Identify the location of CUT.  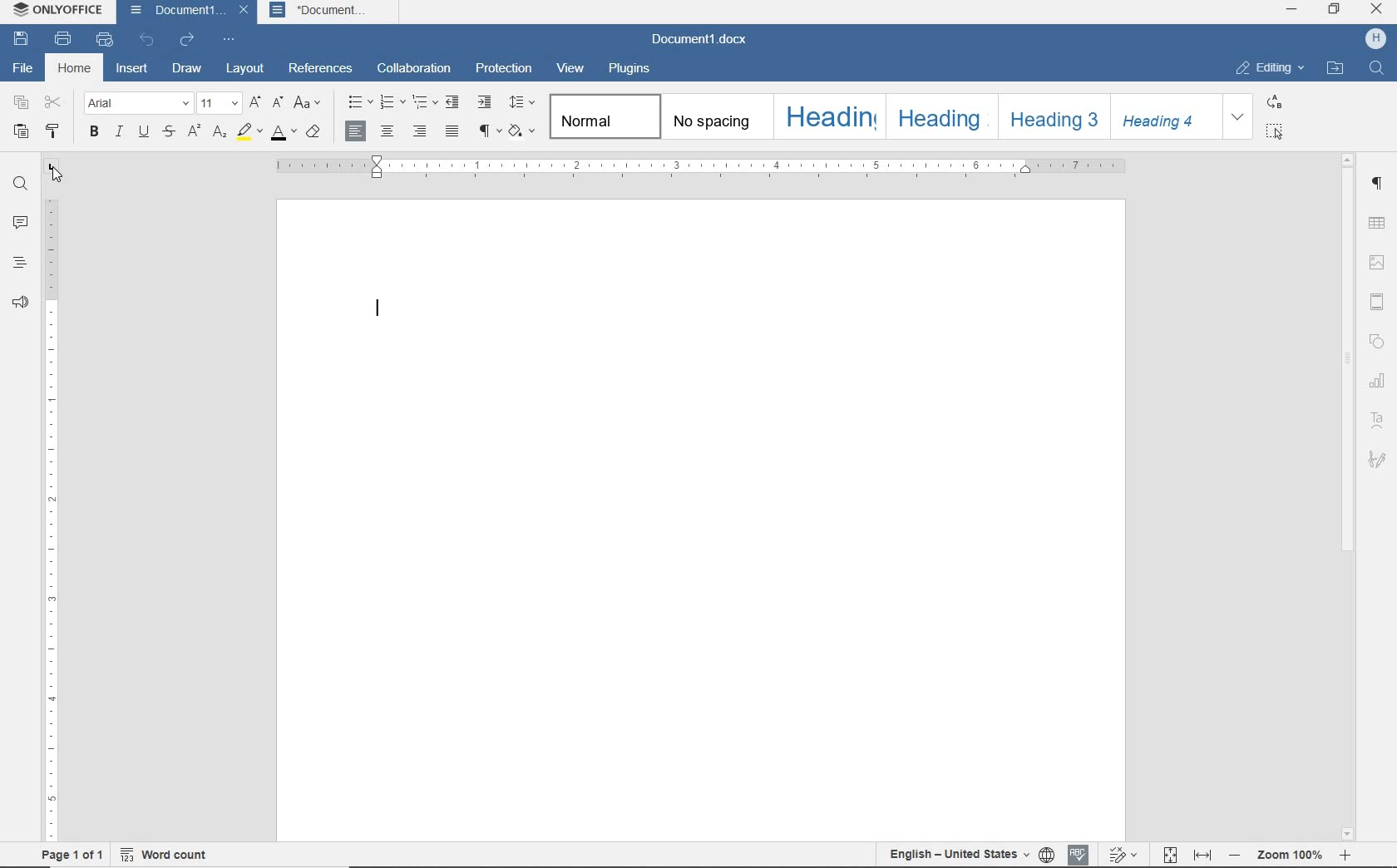
(52, 102).